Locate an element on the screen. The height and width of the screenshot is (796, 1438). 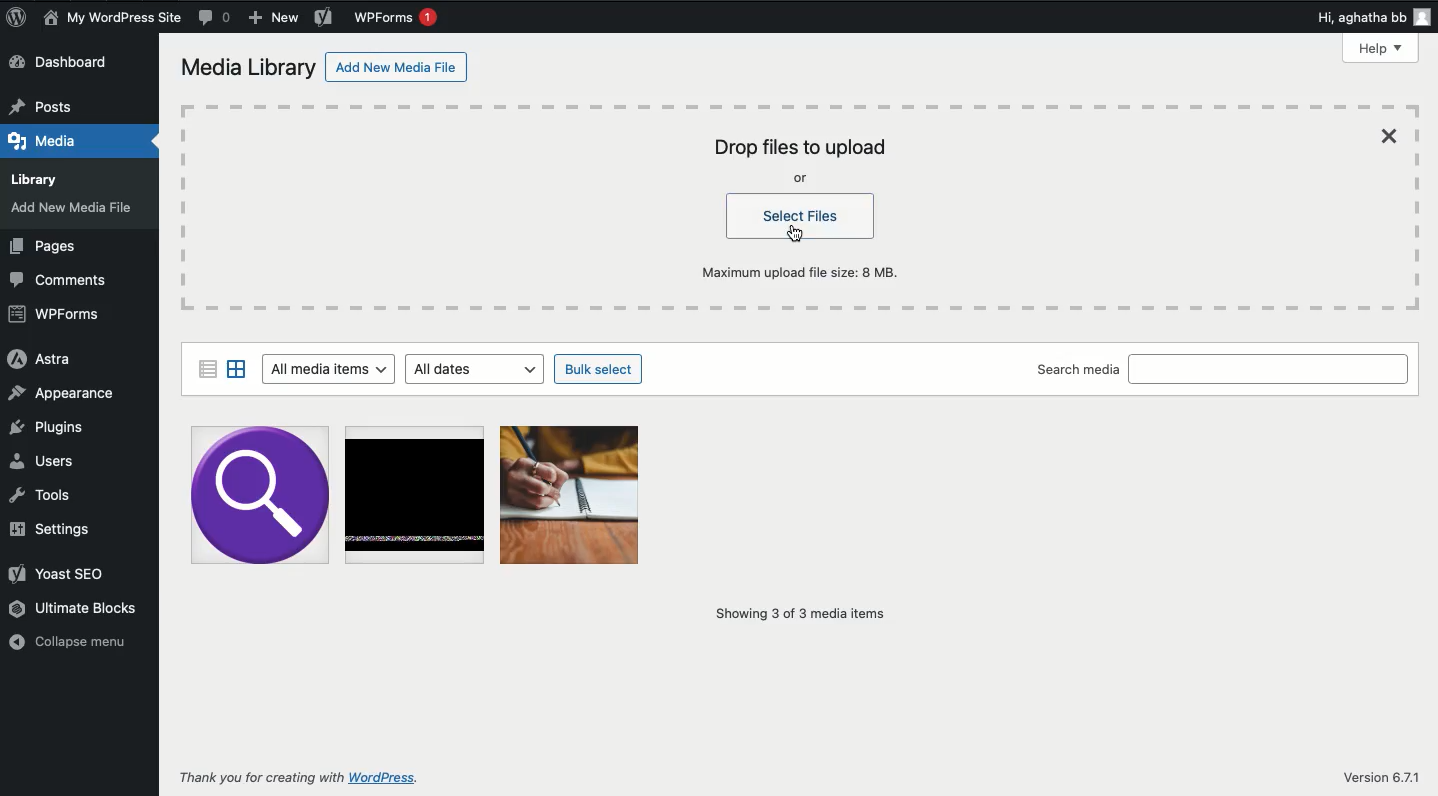
Add new media file is located at coordinates (398, 70).